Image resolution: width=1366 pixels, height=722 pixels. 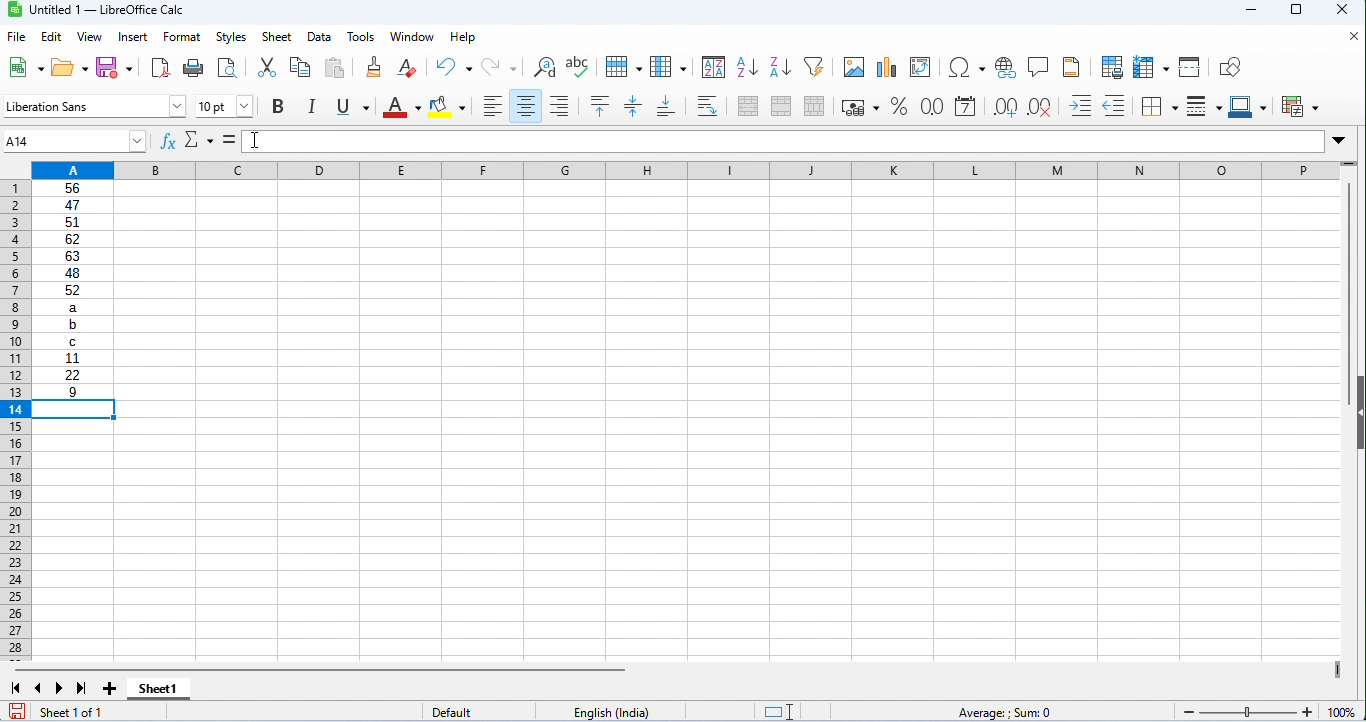 I want to click on add new sheet, so click(x=109, y=690).